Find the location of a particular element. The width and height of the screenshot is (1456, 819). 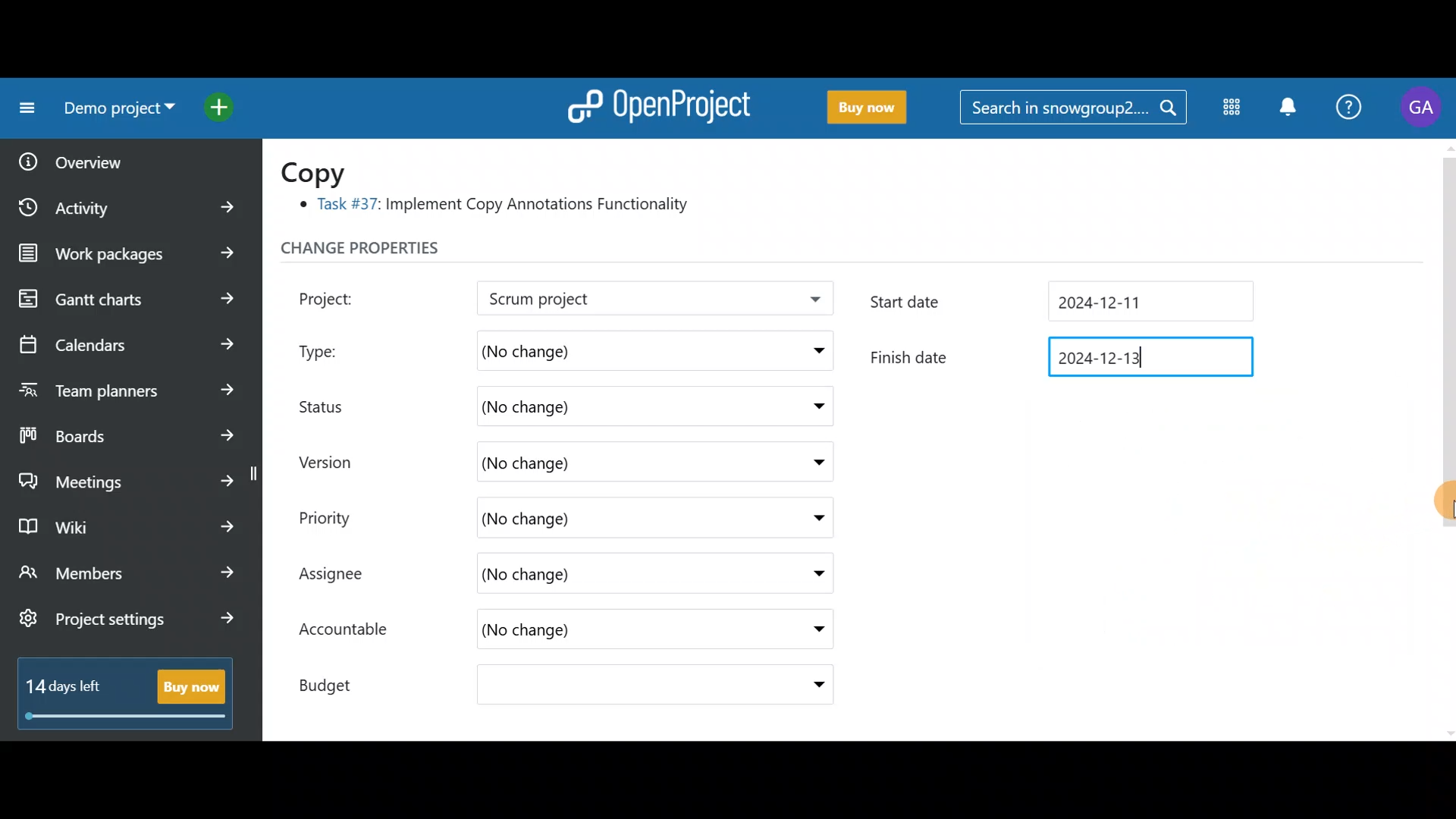

Copy is located at coordinates (323, 171).